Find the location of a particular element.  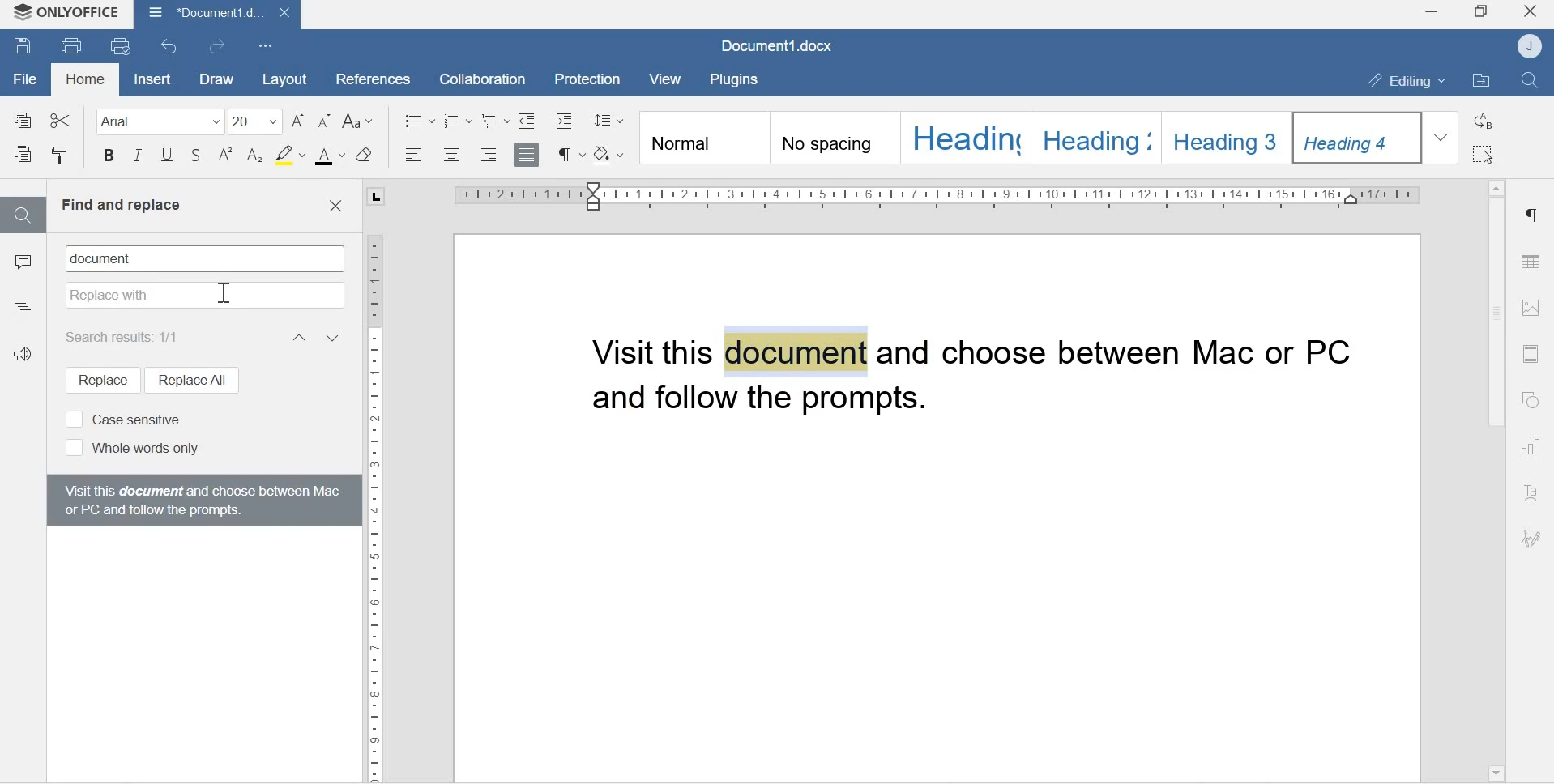

Change case is located at coordinates (361, 121).